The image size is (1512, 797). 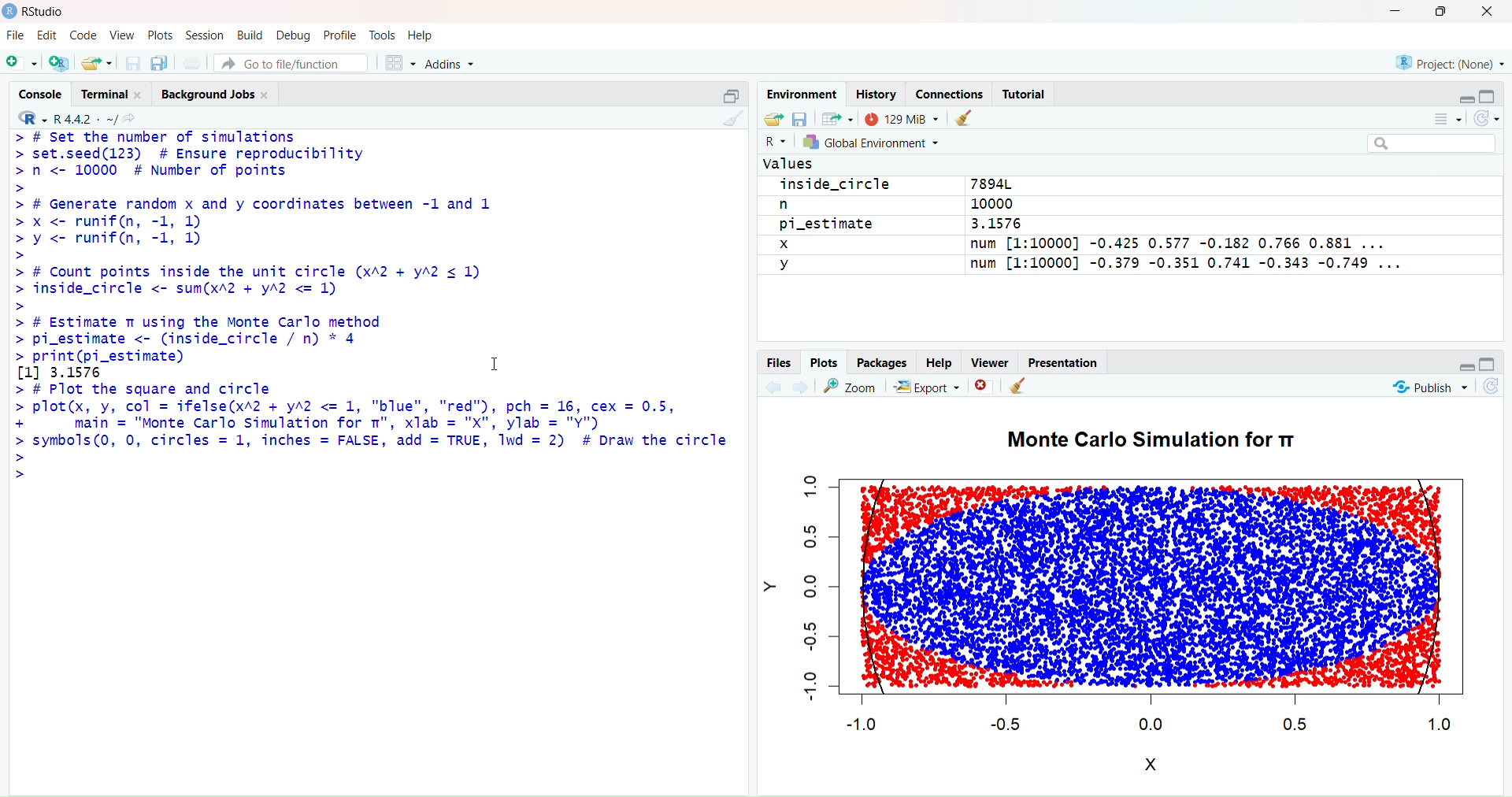 What do you see at coordinates (131, 61) in the screenshot?
I see `Save current document (Ctrl + S)` at bounding box center [131, 61].